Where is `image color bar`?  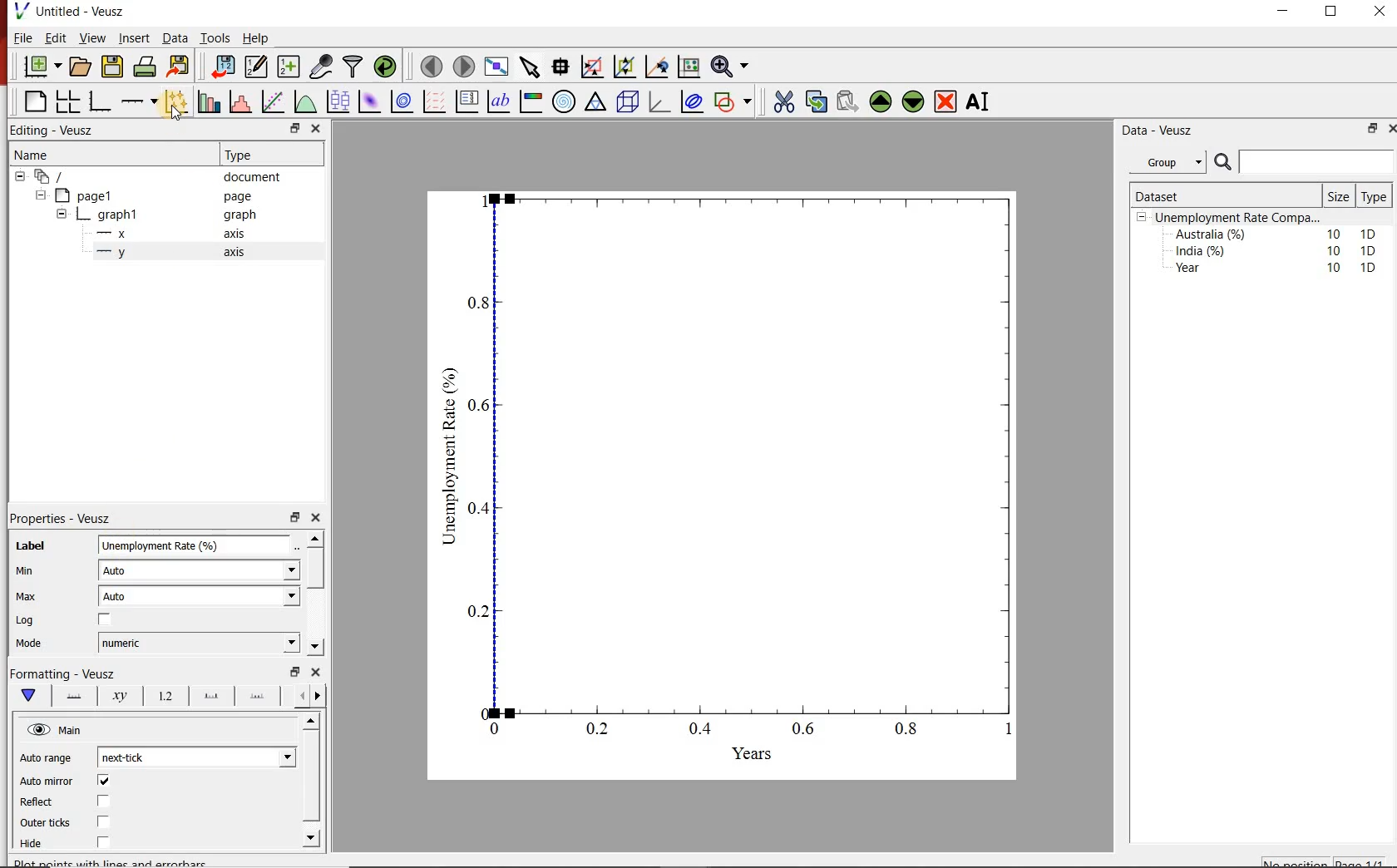
image color bar is located at coordinates (531, 102).